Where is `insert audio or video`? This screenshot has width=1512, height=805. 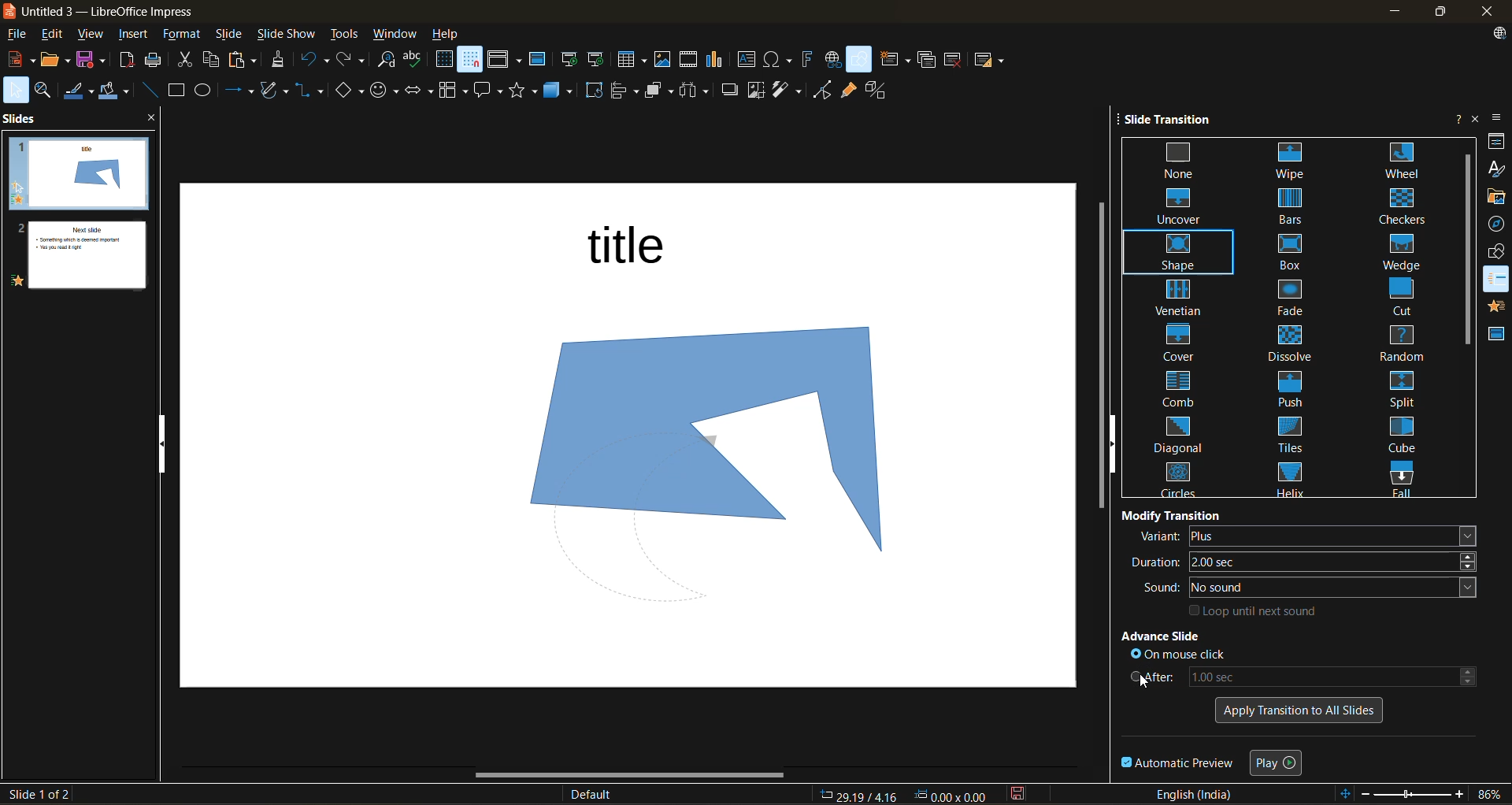
insert audio or video is located at coordinates (691, 63).